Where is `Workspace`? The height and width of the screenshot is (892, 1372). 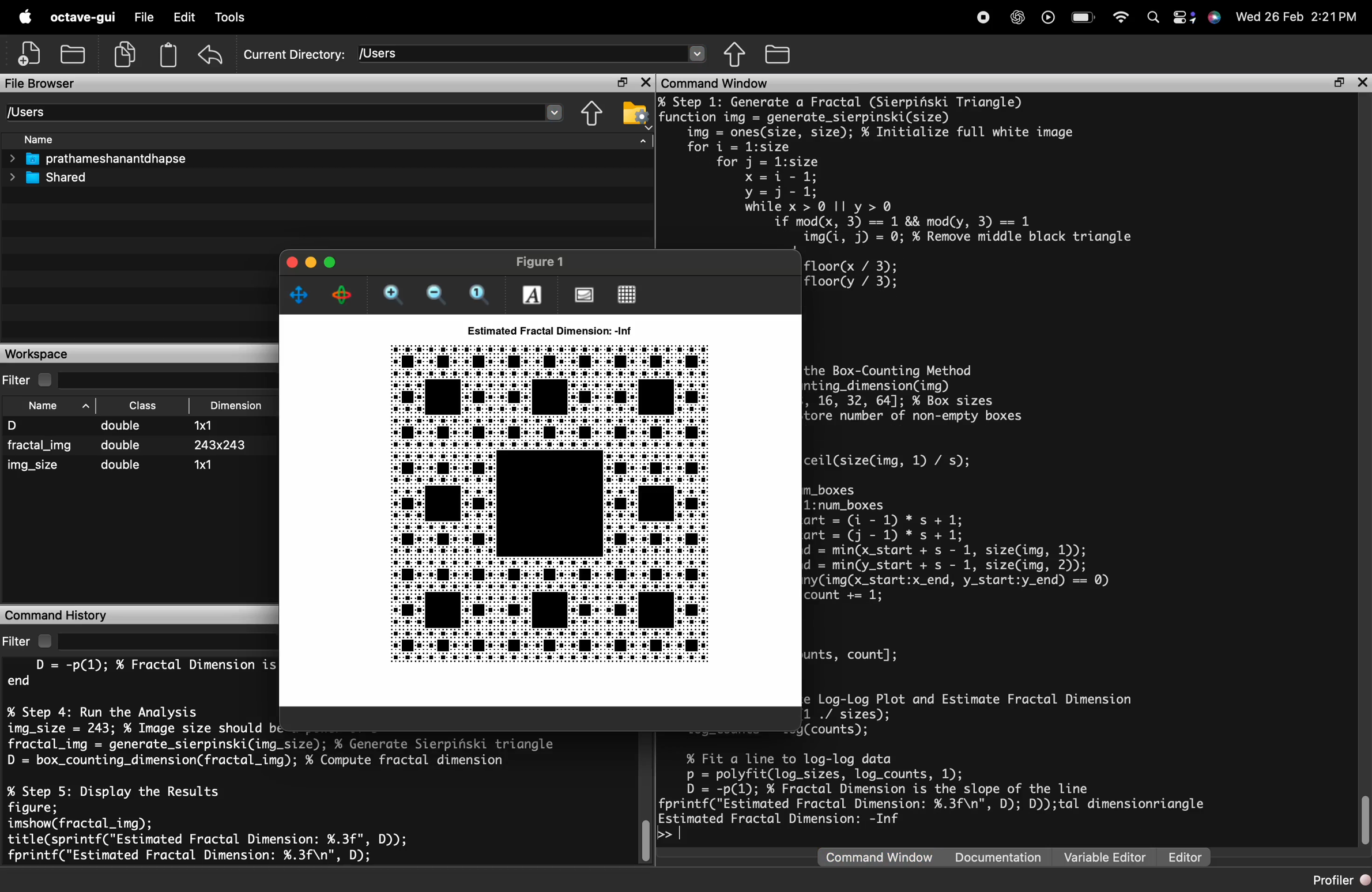
Workspace is located at coordinates (40, 351).